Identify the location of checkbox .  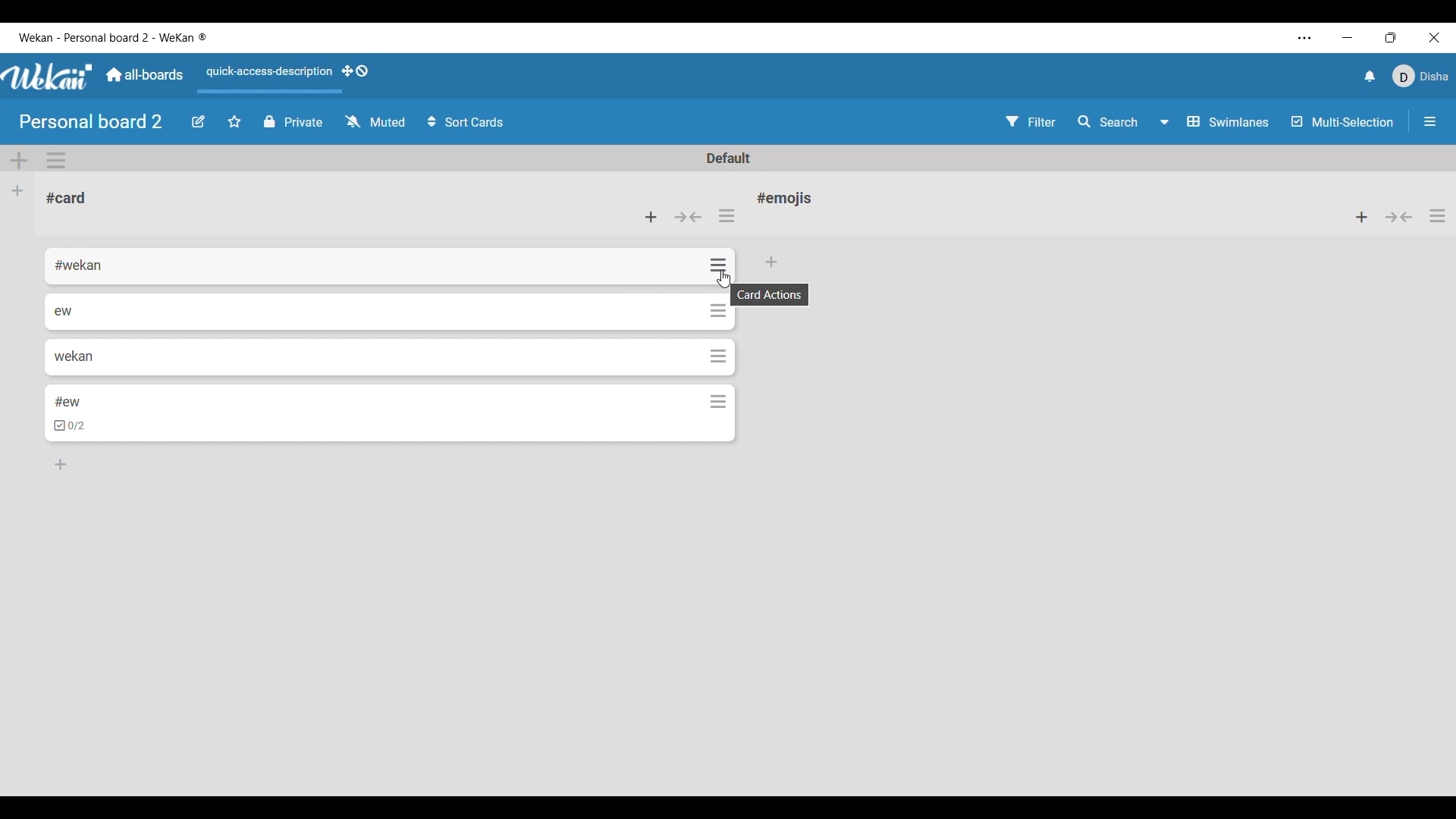
(71, 426).